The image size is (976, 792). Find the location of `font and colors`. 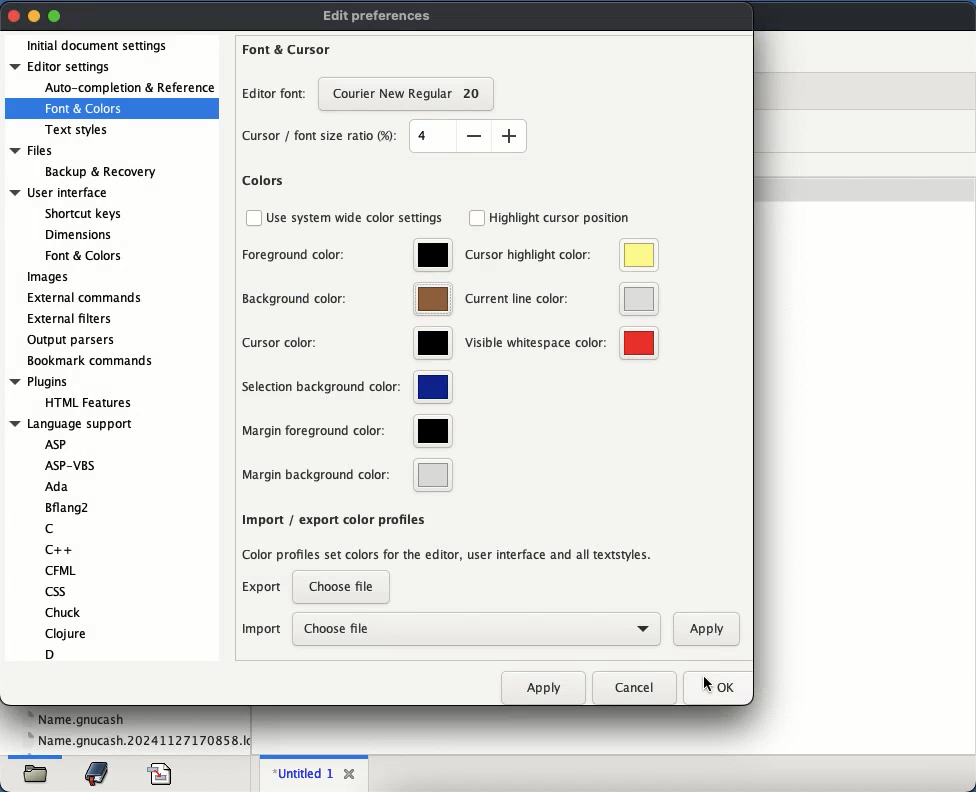

font and colors is located at coordinates (85, 110).